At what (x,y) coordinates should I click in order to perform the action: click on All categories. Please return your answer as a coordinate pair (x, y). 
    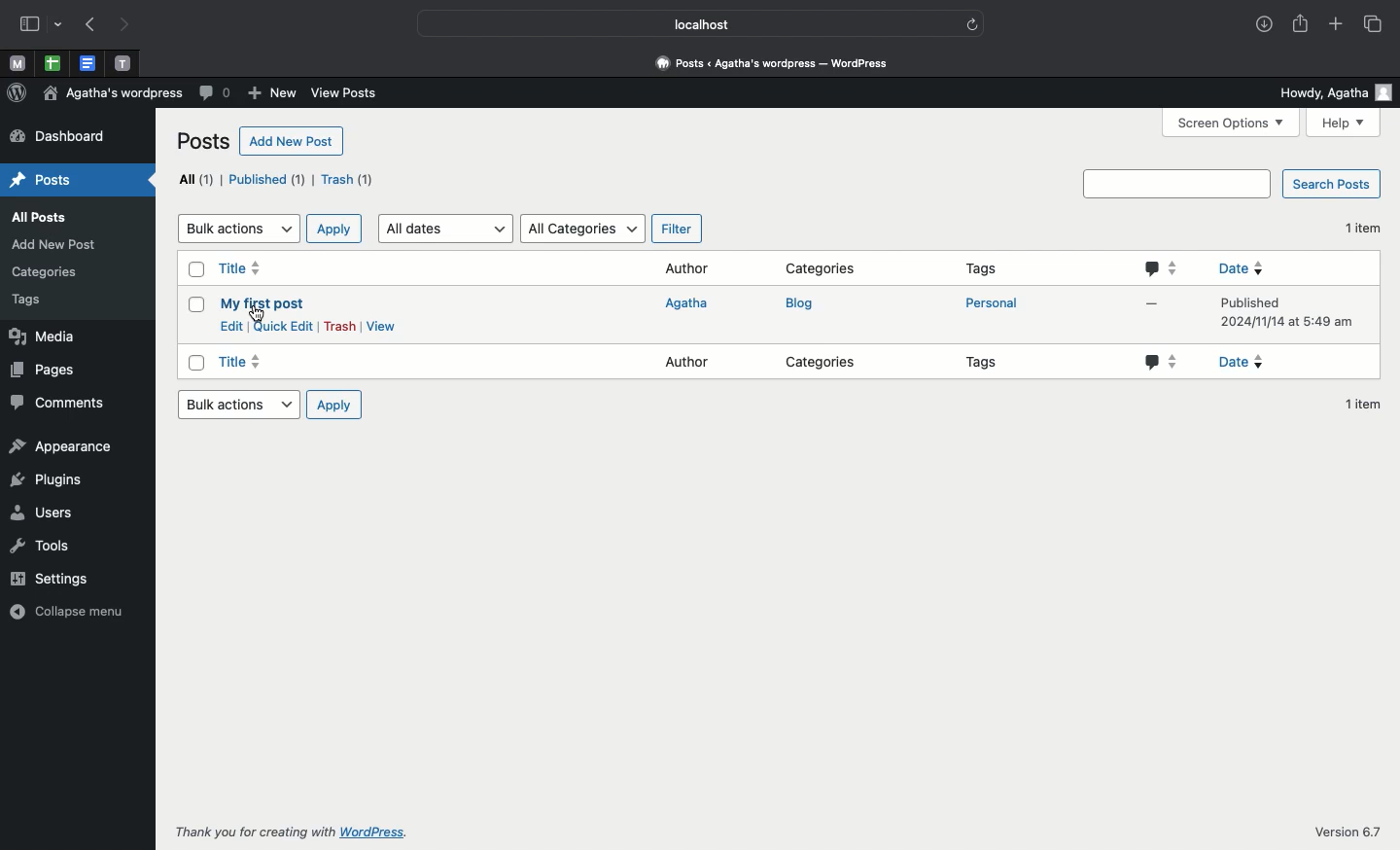
    Looking at the image, I should click on (582, 229).